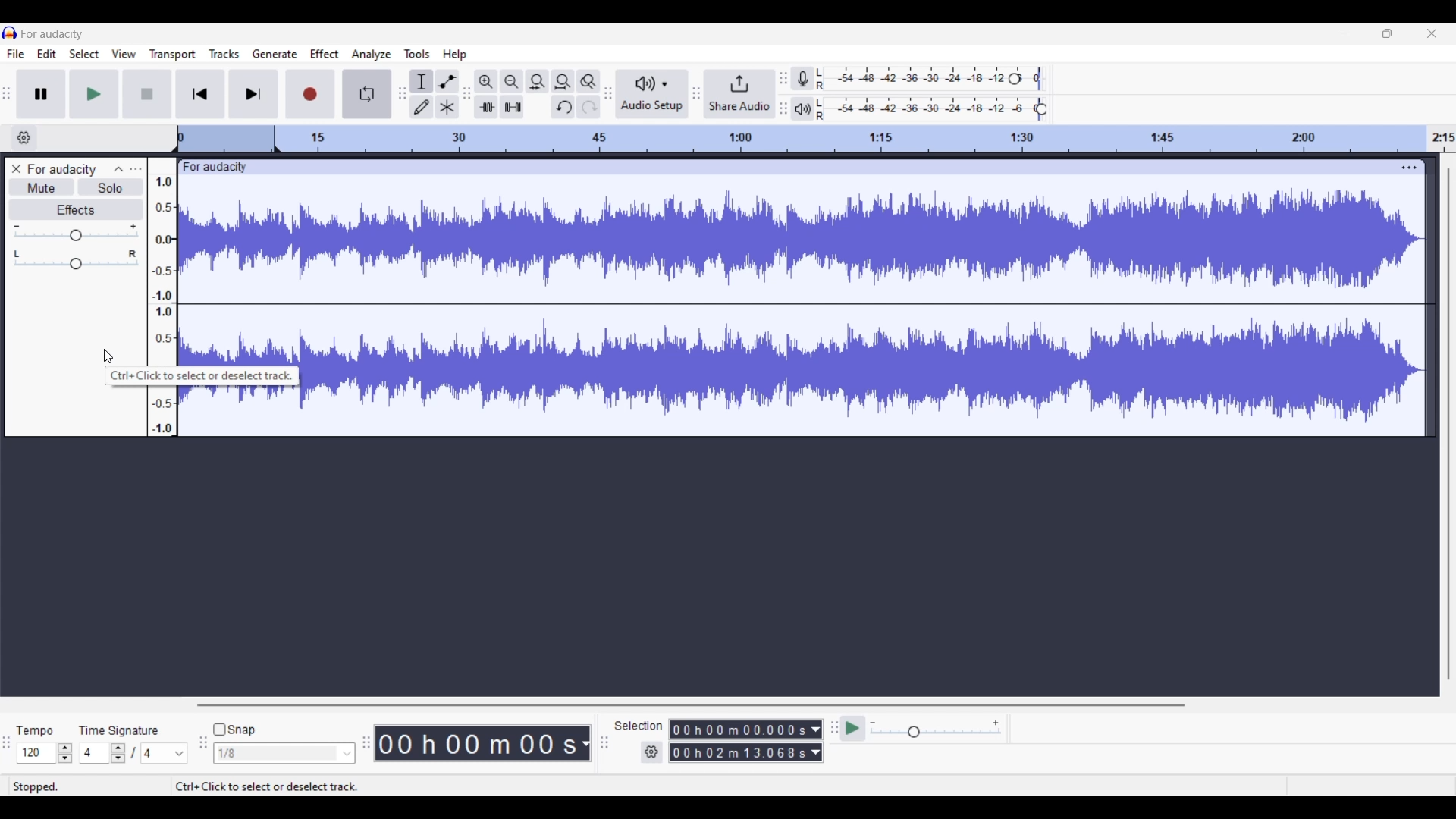  Describe the element at coordinates (447, 81) in the screenshot. I see `Envelop tool` at that location.